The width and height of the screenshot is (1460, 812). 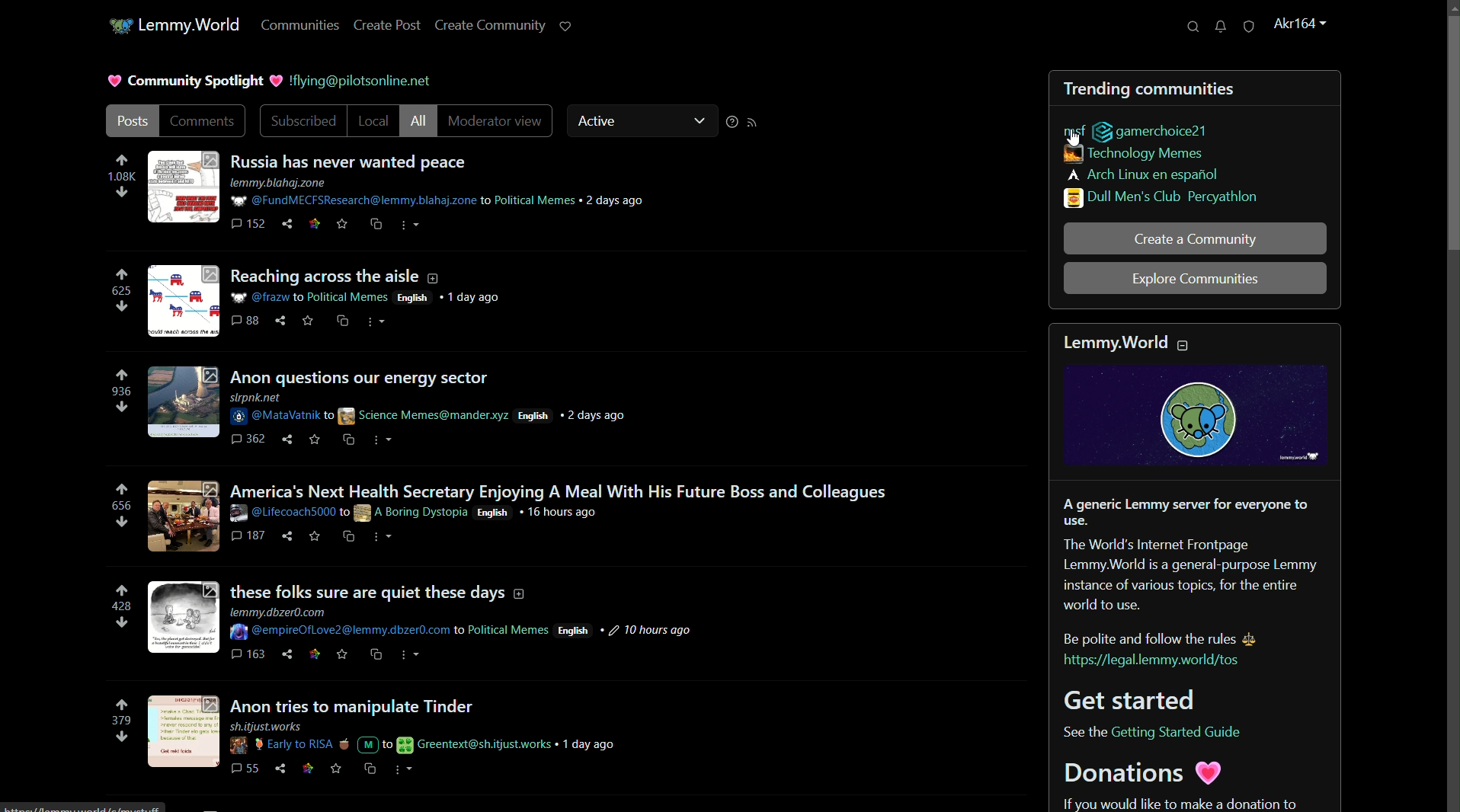 I want to click on post-1, so click(x=354, y=161).